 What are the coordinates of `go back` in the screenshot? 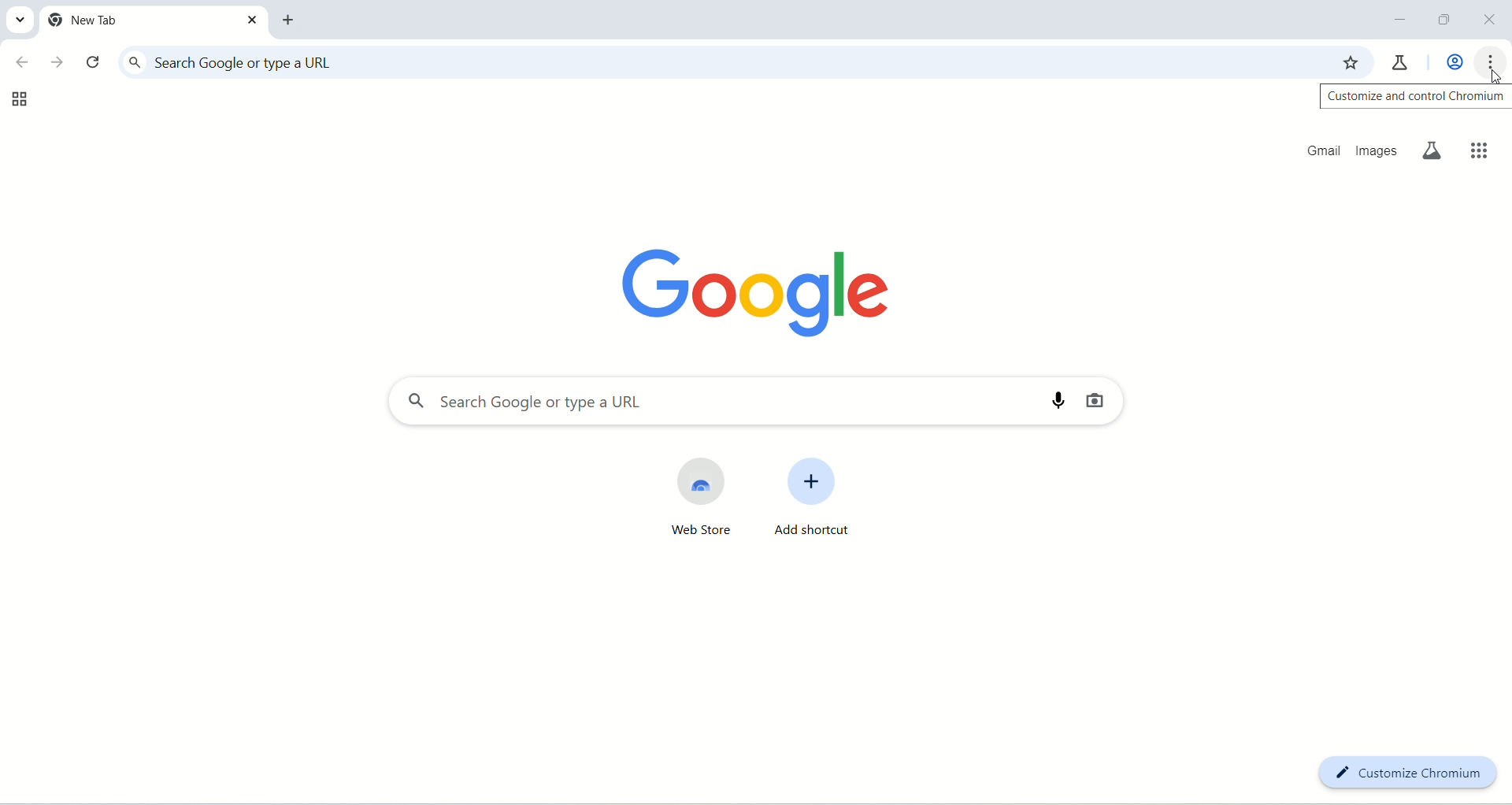 It's located at (20, 64).